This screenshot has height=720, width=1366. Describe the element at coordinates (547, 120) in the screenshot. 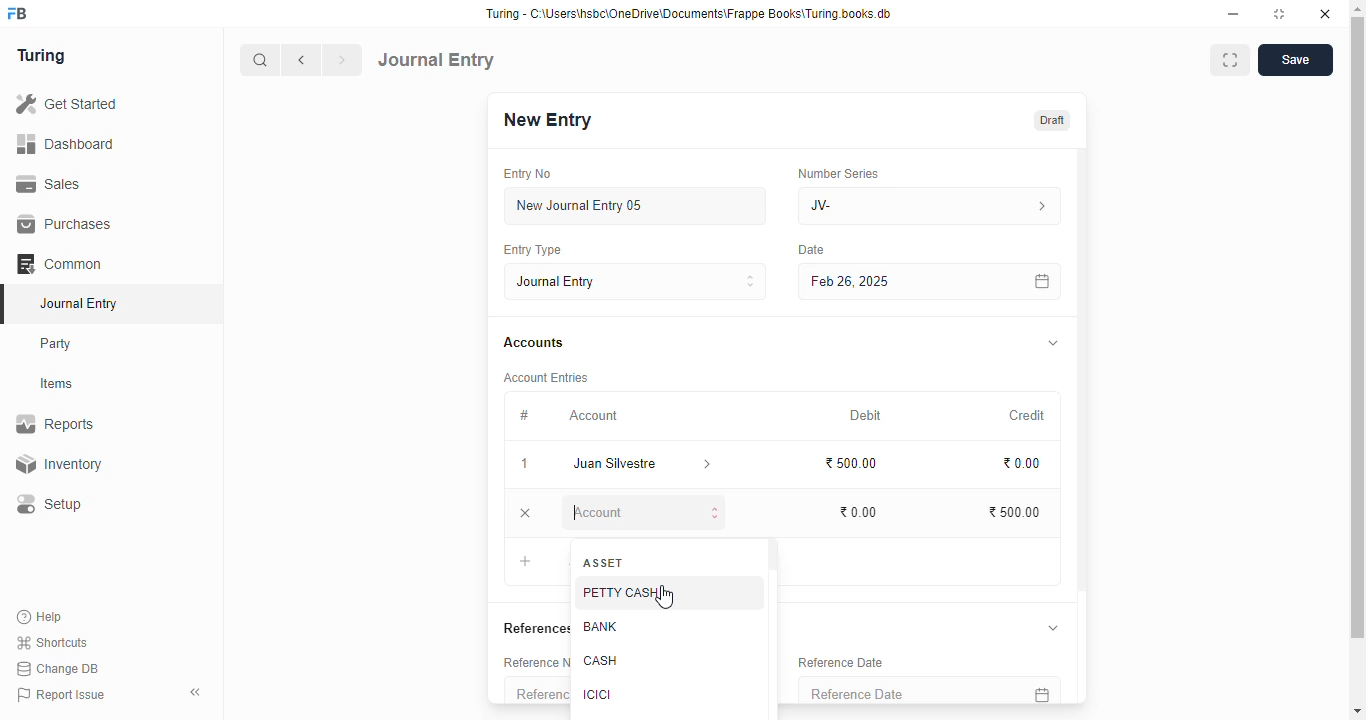

I see `new entry` at that location.